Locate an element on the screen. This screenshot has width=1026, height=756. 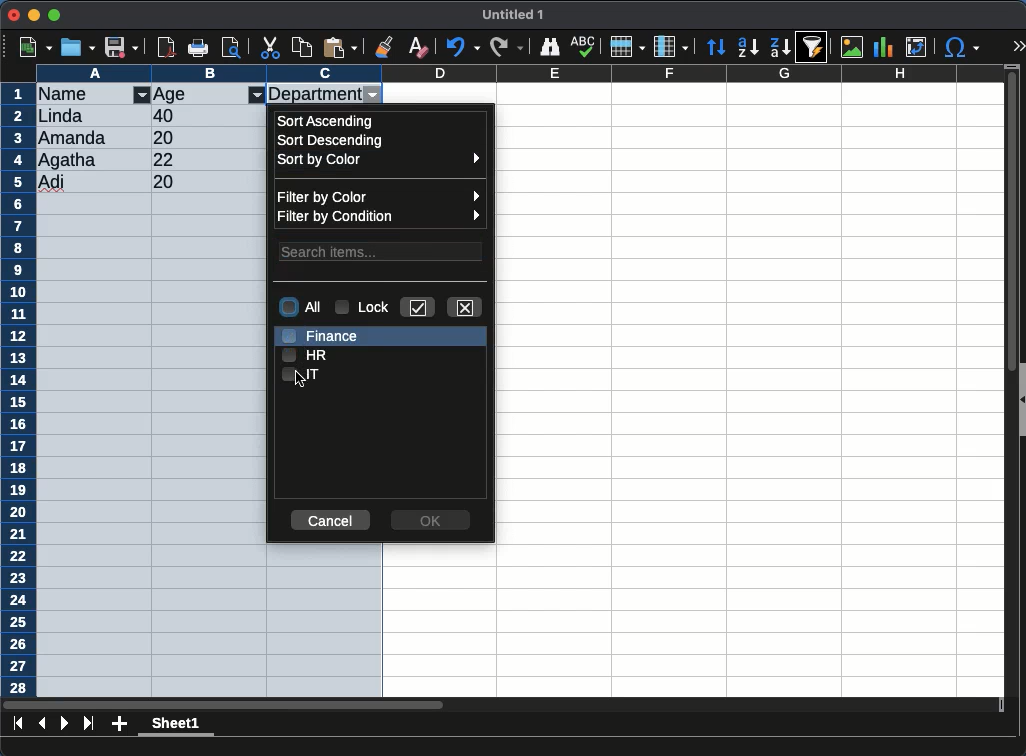
descending is located at coordinates (748, 48).